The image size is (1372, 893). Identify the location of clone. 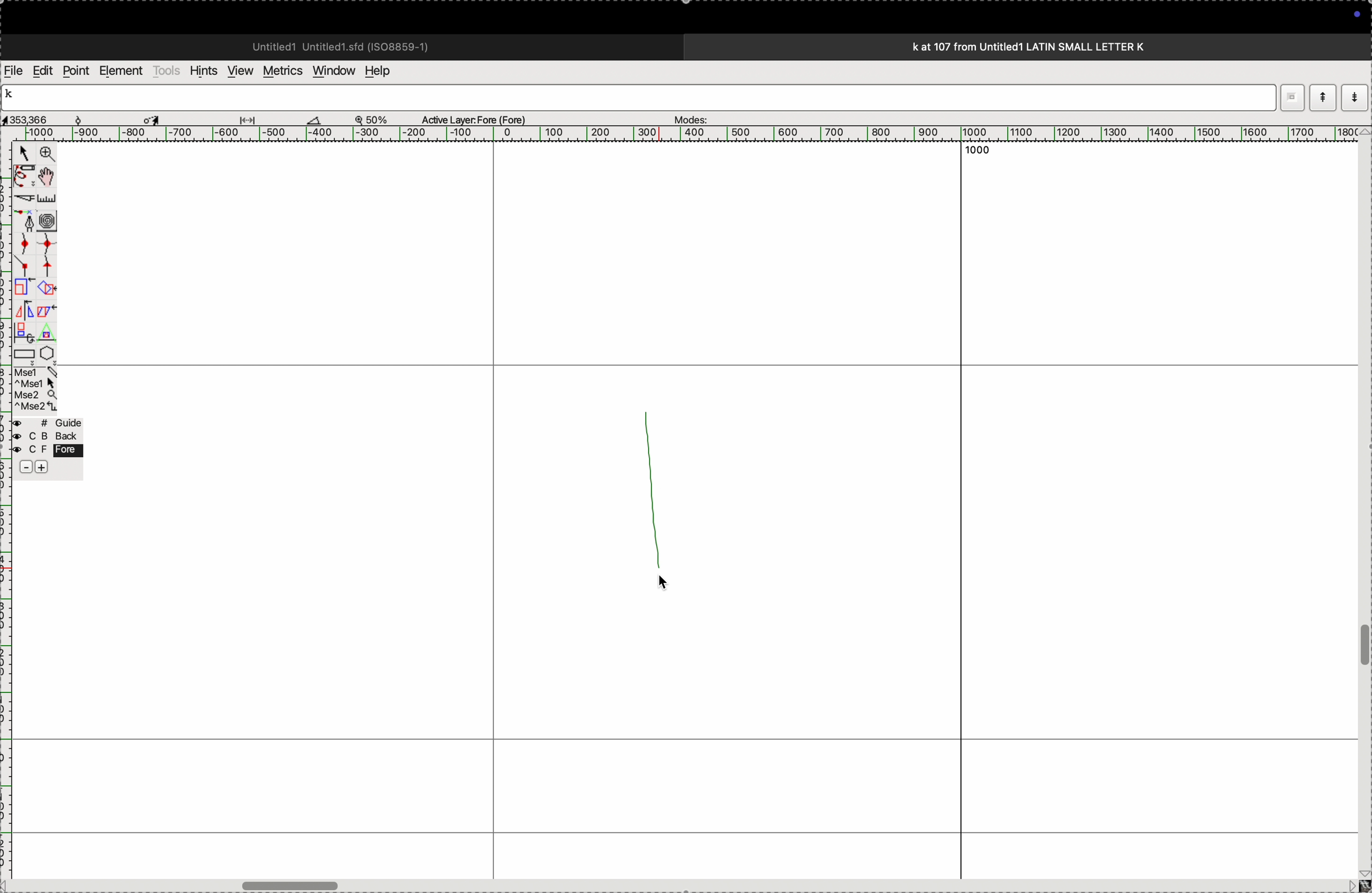
(22, 288).